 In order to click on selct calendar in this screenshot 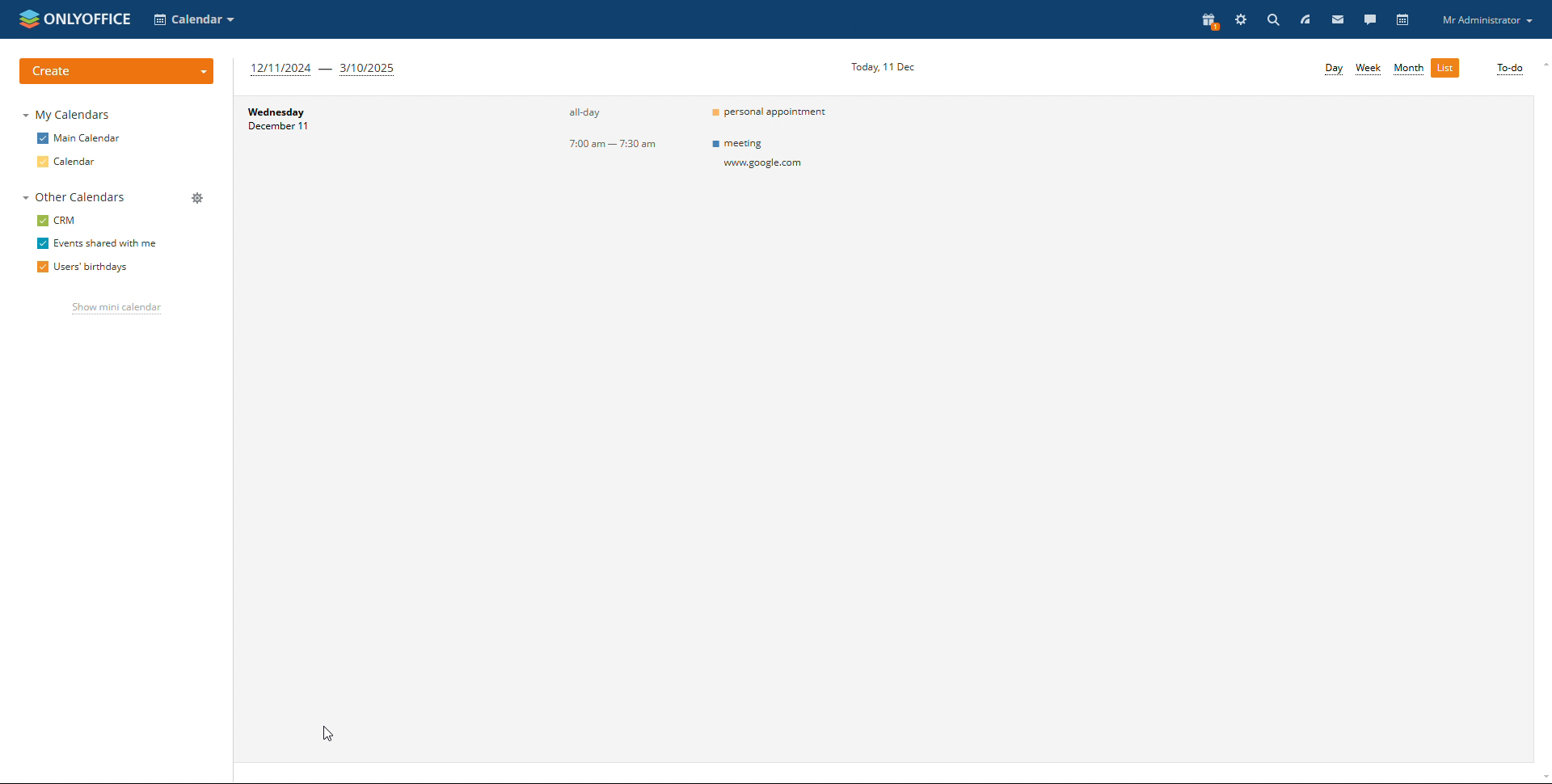, I will do `click(194, 19)`.